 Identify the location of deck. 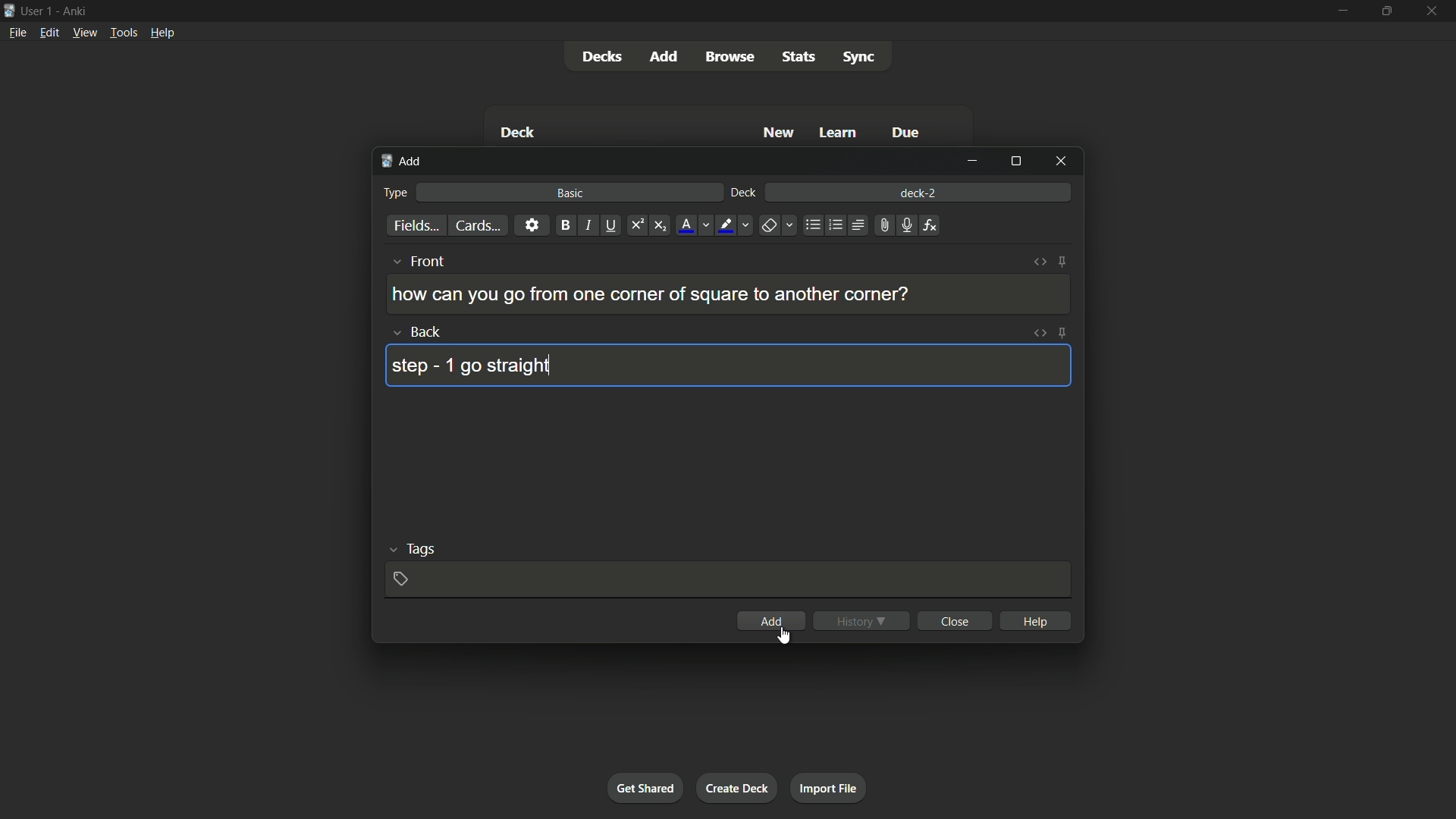
(745, 193).